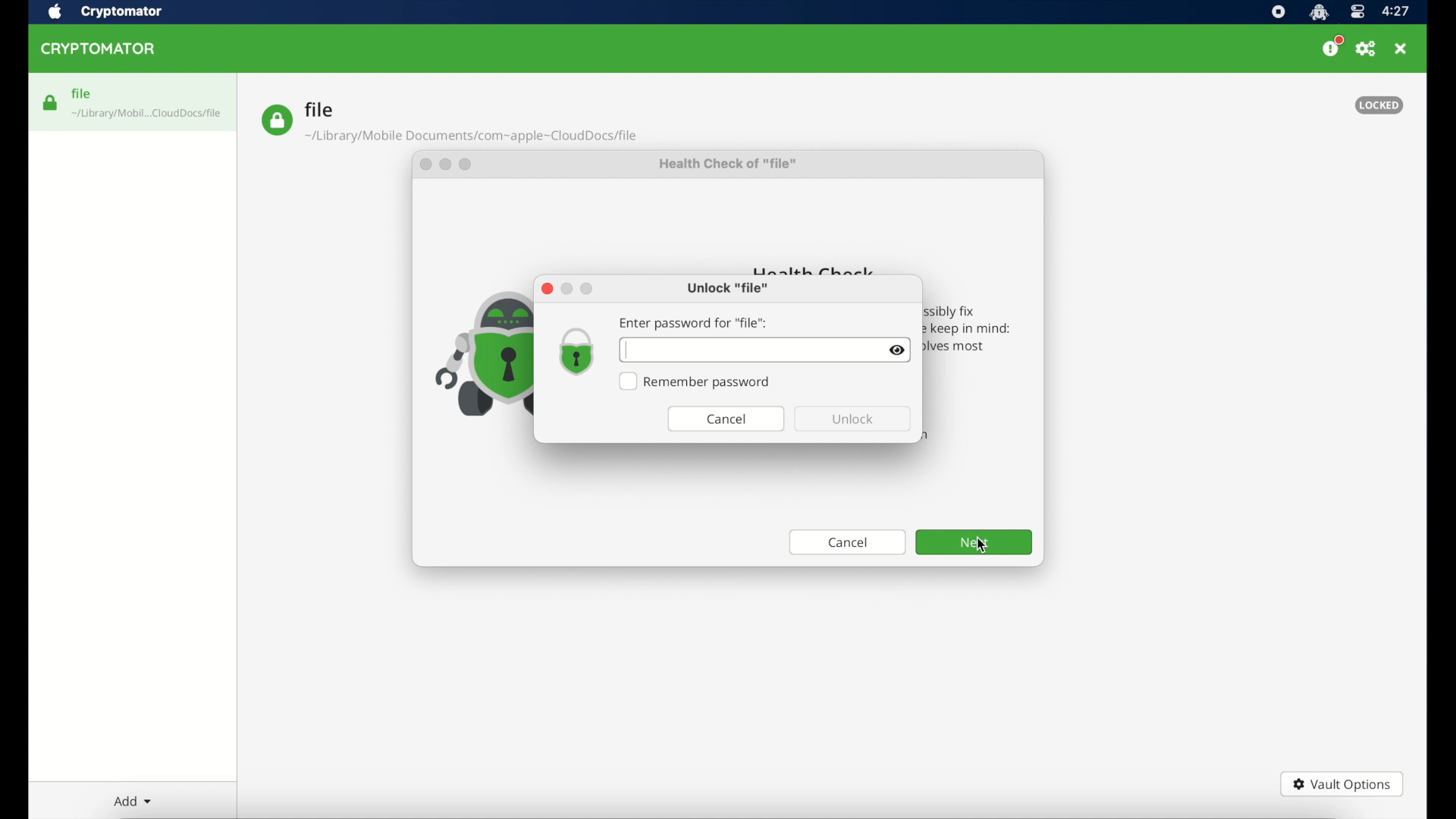 This screenshot has height=819, width=1456. What do you see at coordinates (475, 347) in the screenshot?
I see `icon` at bounding box center [475, 347].